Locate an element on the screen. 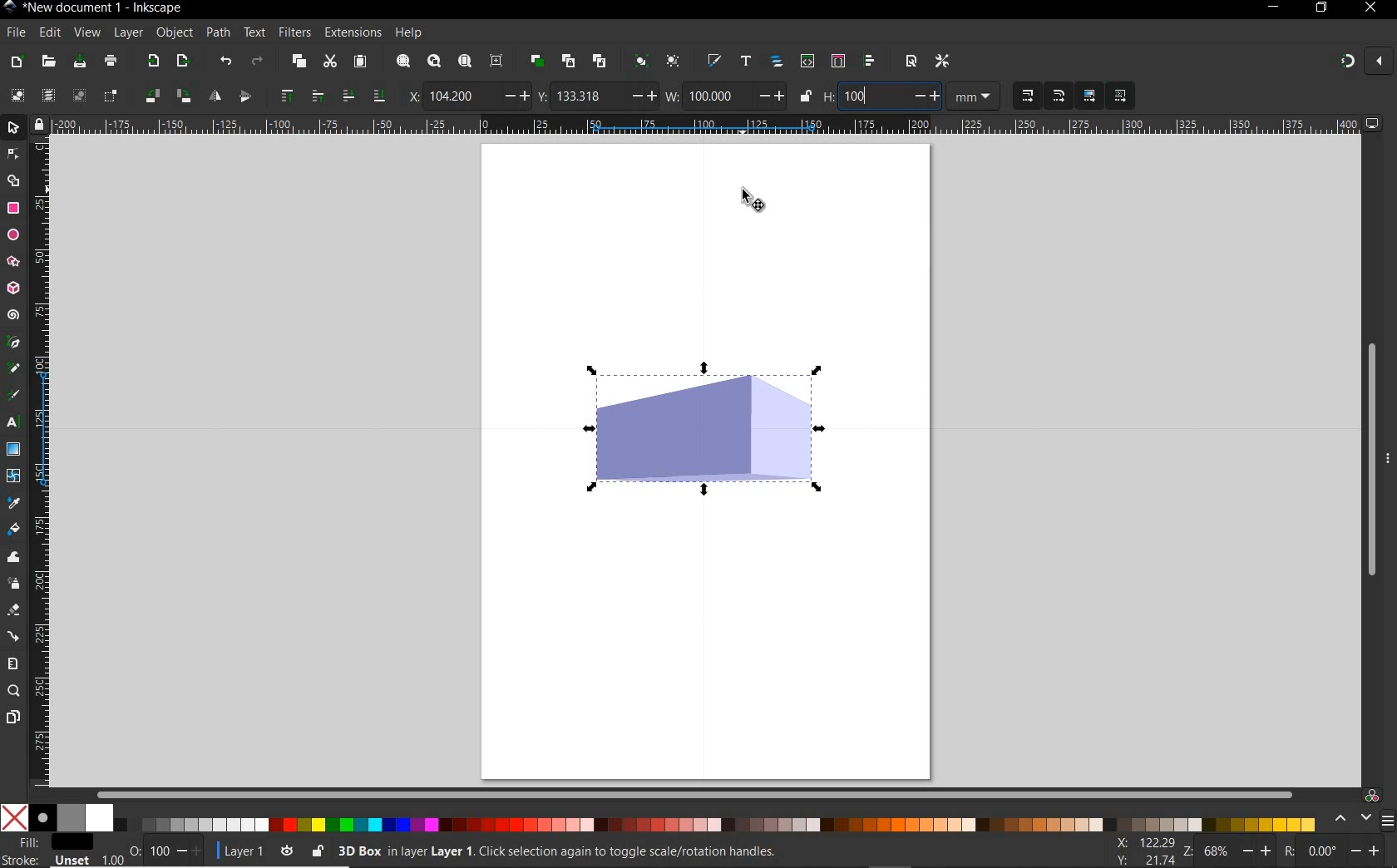  restore down is located at coordinates (1321, 8).